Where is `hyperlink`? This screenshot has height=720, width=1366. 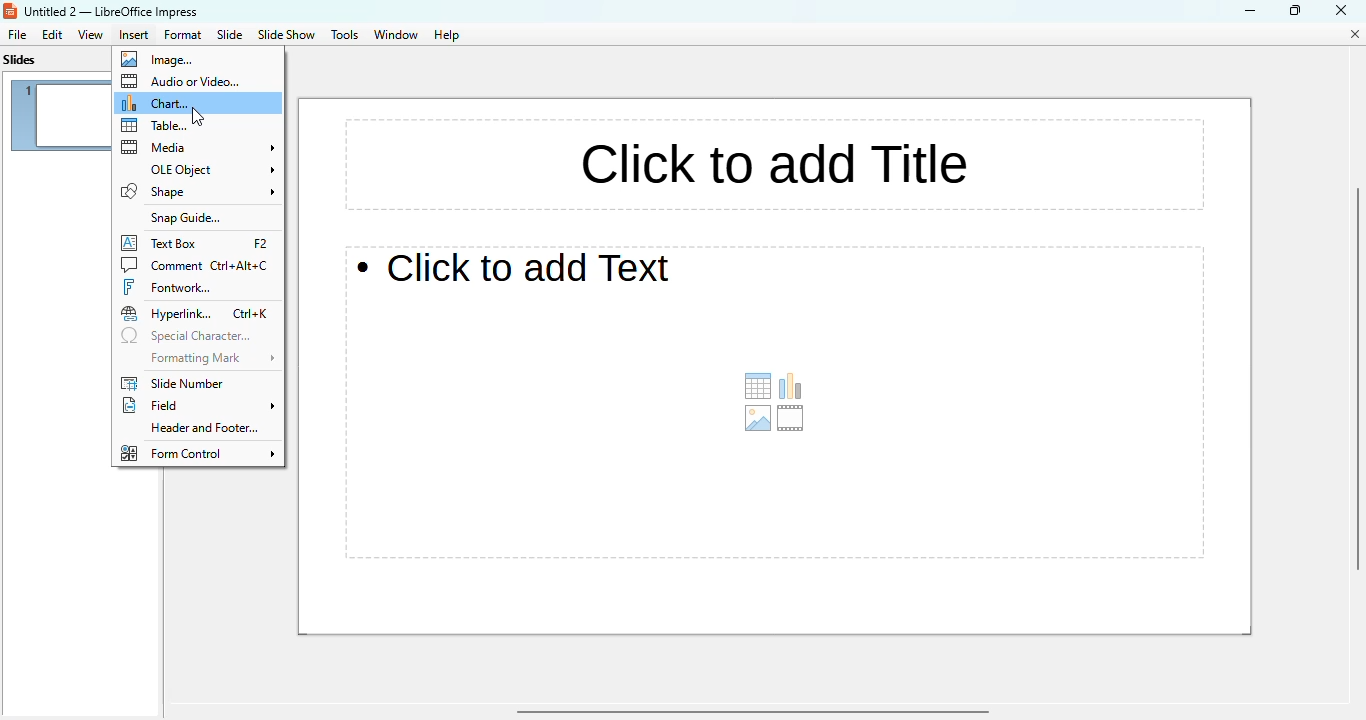
hyperlink is located at coordinates (169, 313).